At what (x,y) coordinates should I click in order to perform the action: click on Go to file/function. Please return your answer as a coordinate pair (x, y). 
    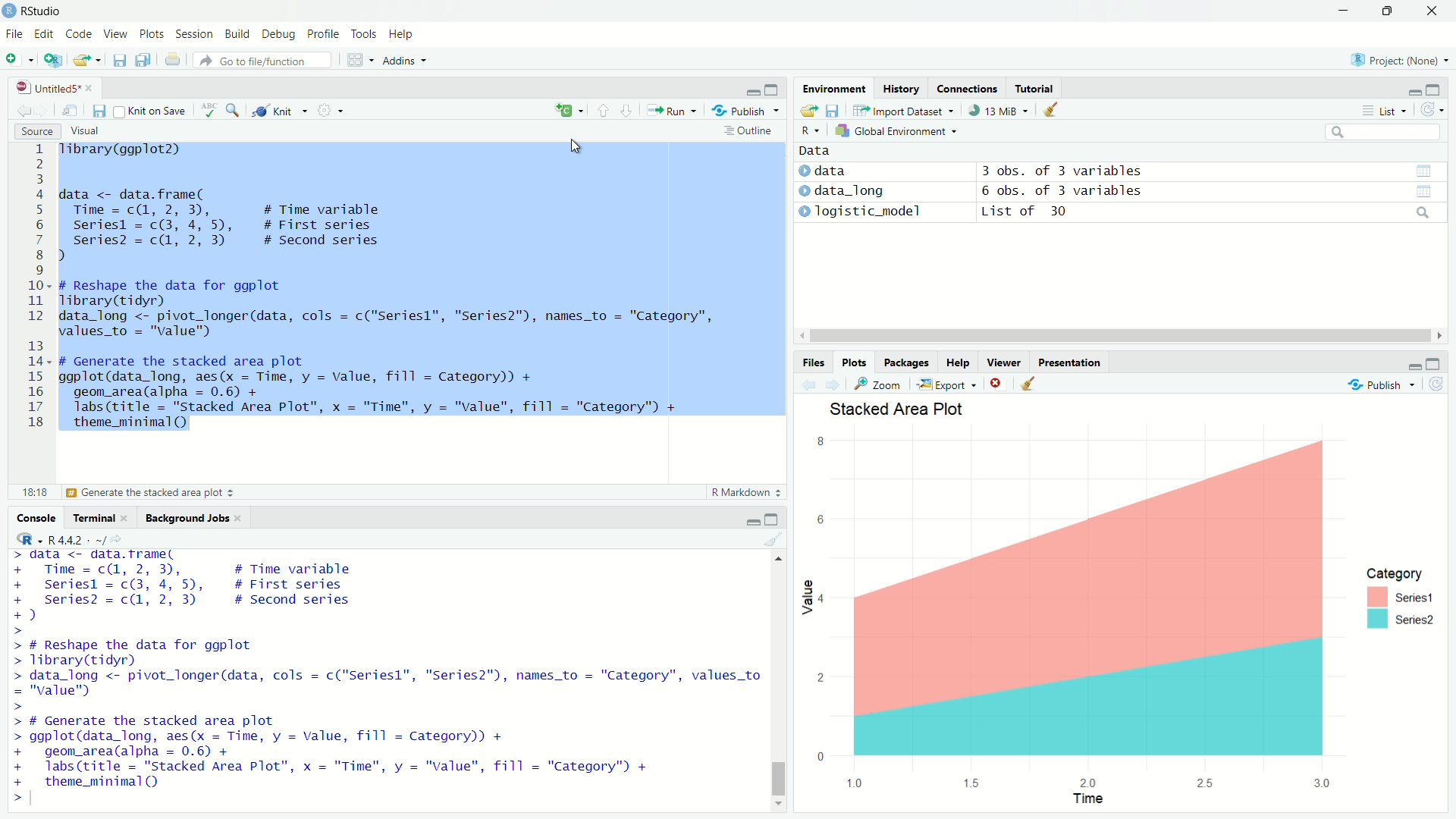
    Looking at the image, I should click on (265, 60).